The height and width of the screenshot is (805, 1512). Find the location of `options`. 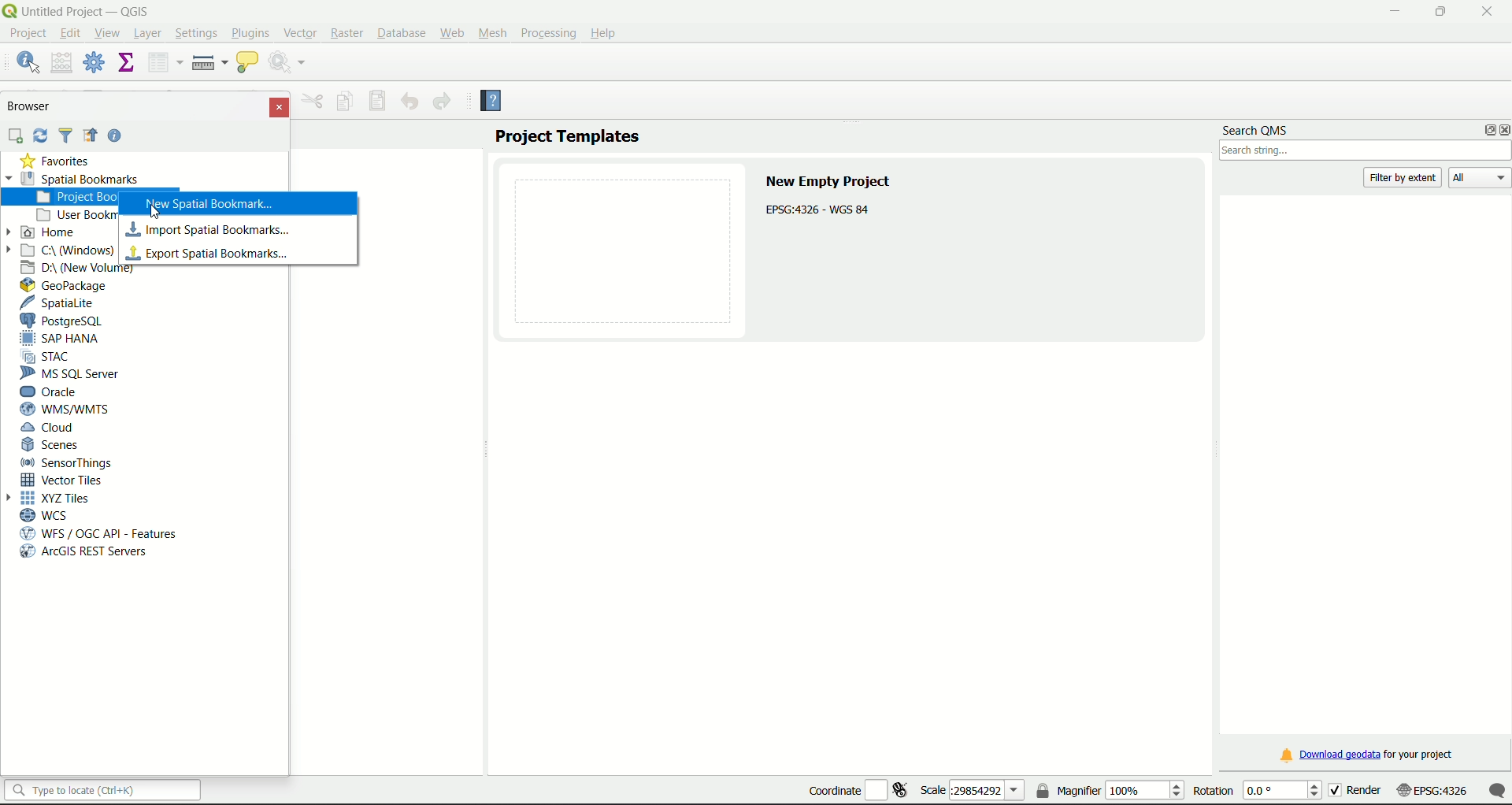

options is located at coordinates (1484, 130).